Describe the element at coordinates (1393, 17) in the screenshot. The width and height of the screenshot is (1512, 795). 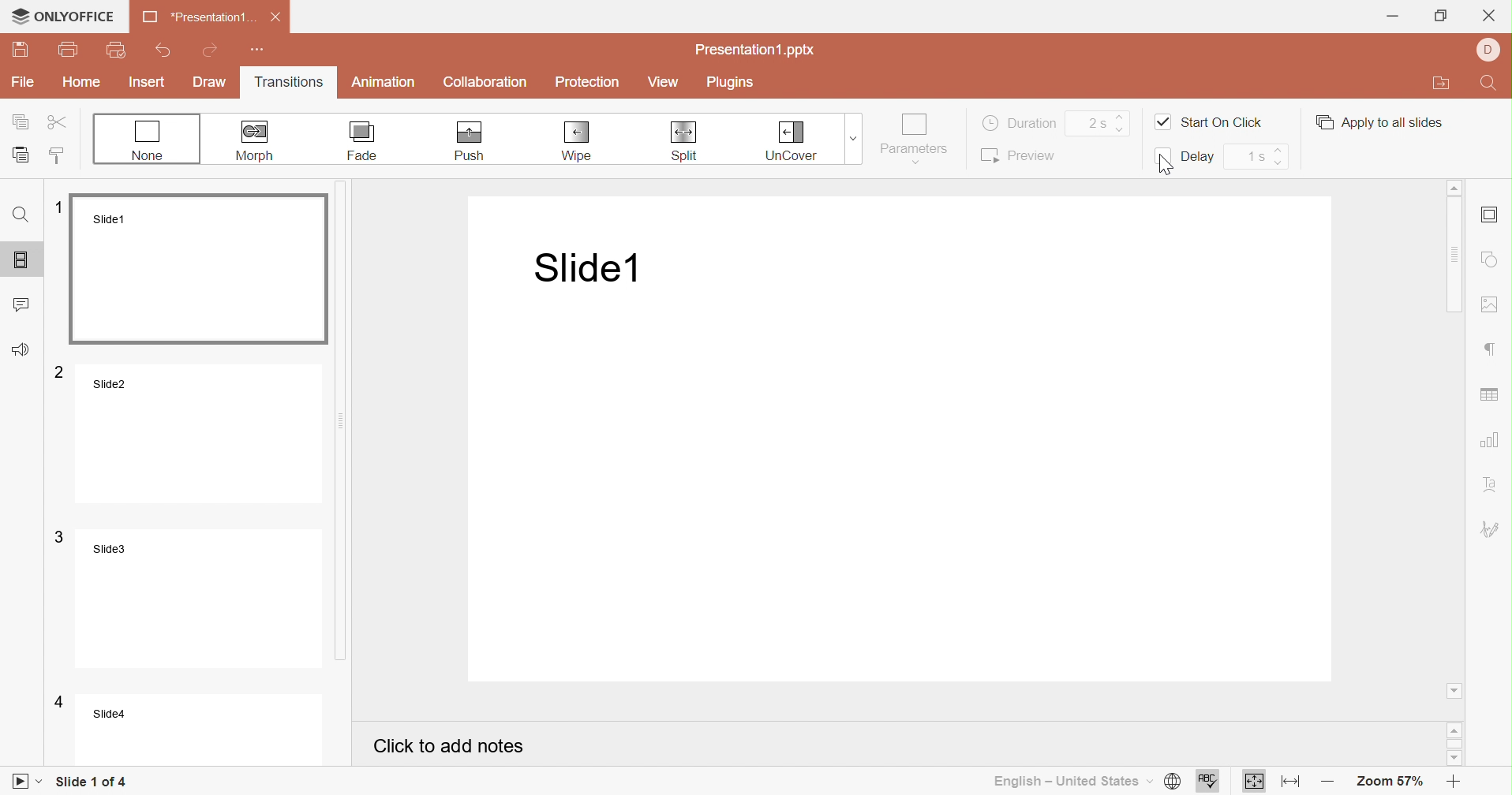
I see `Minimize` at that location.